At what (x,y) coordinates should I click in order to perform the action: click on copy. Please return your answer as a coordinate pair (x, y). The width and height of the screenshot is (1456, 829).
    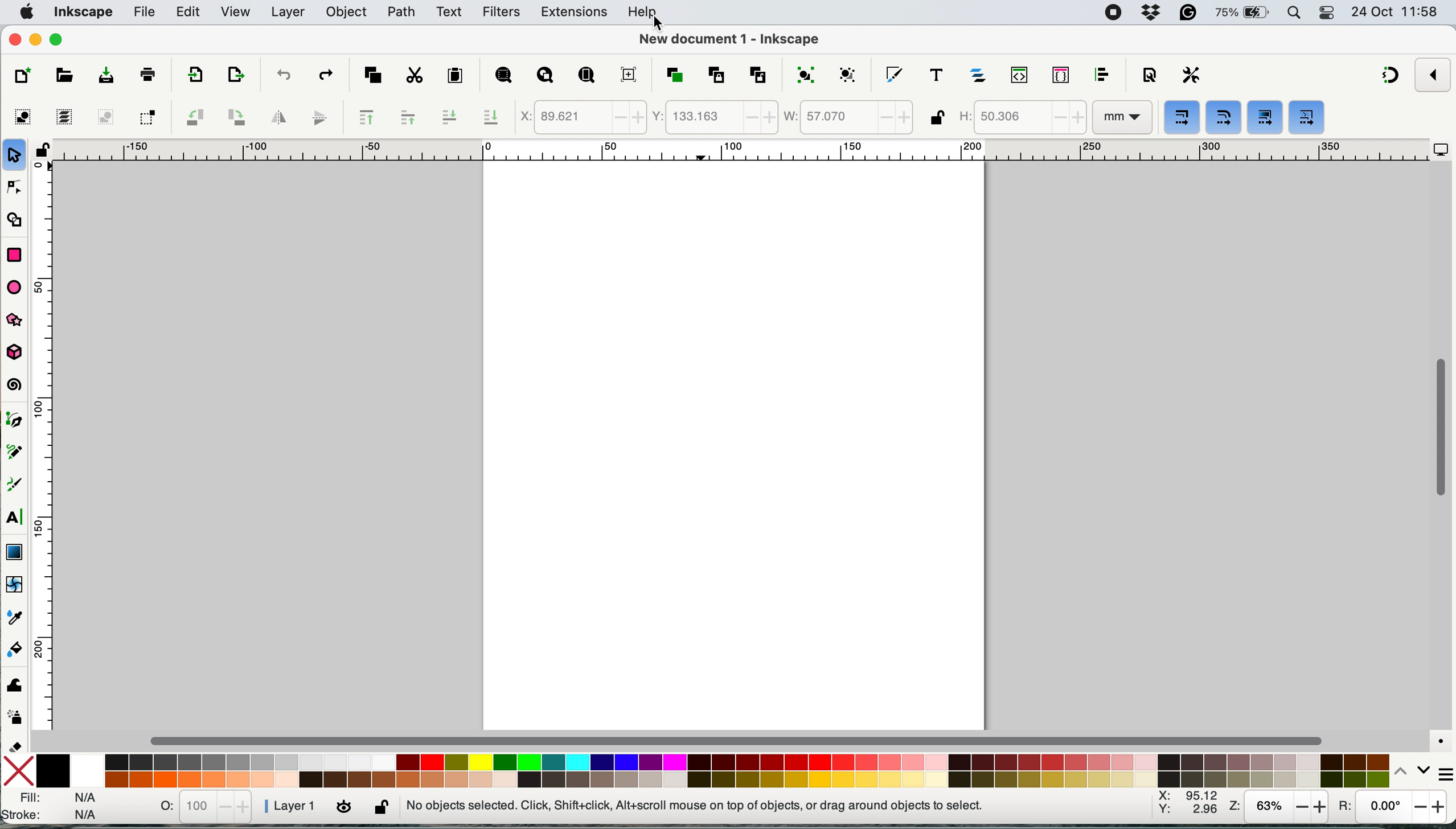
    Looking at the image, I should click on (375, 75).